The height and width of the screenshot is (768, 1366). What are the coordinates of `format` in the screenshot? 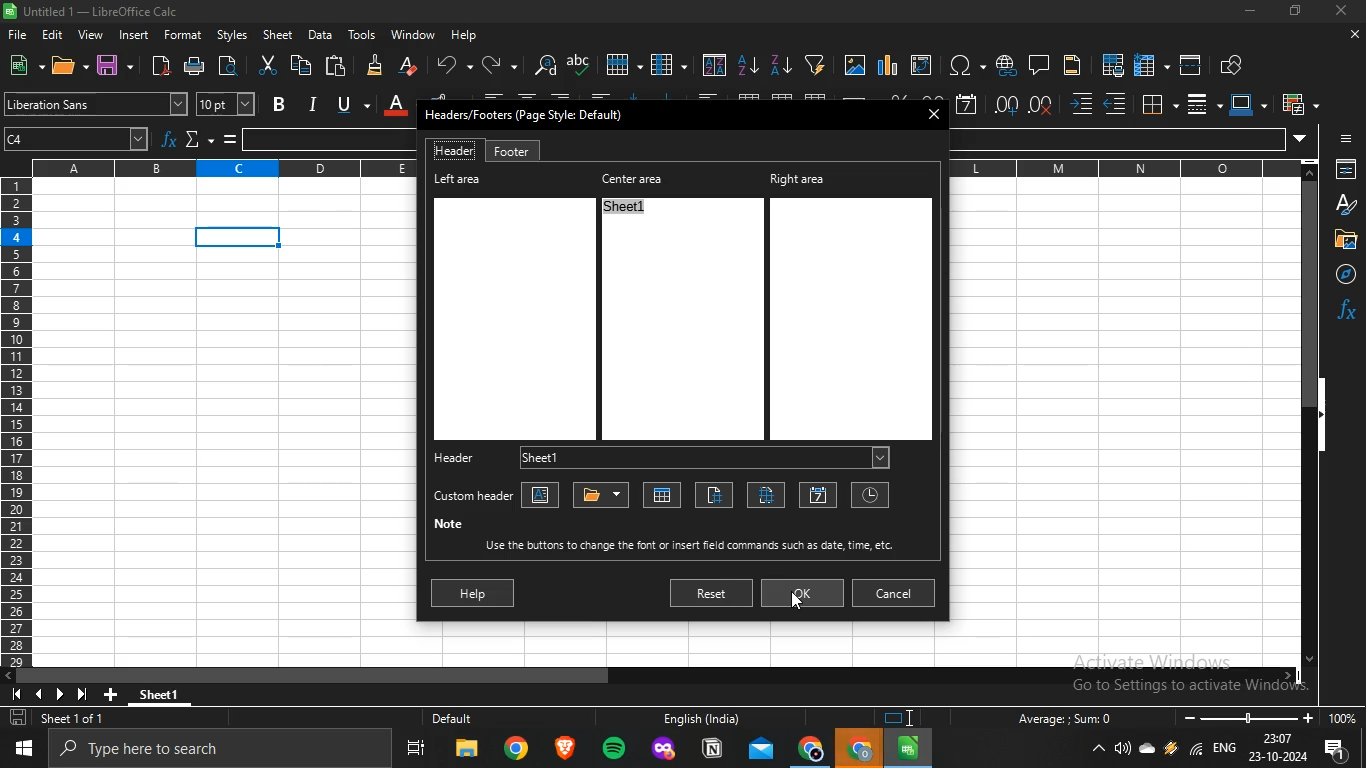 It's located at (184, 34).